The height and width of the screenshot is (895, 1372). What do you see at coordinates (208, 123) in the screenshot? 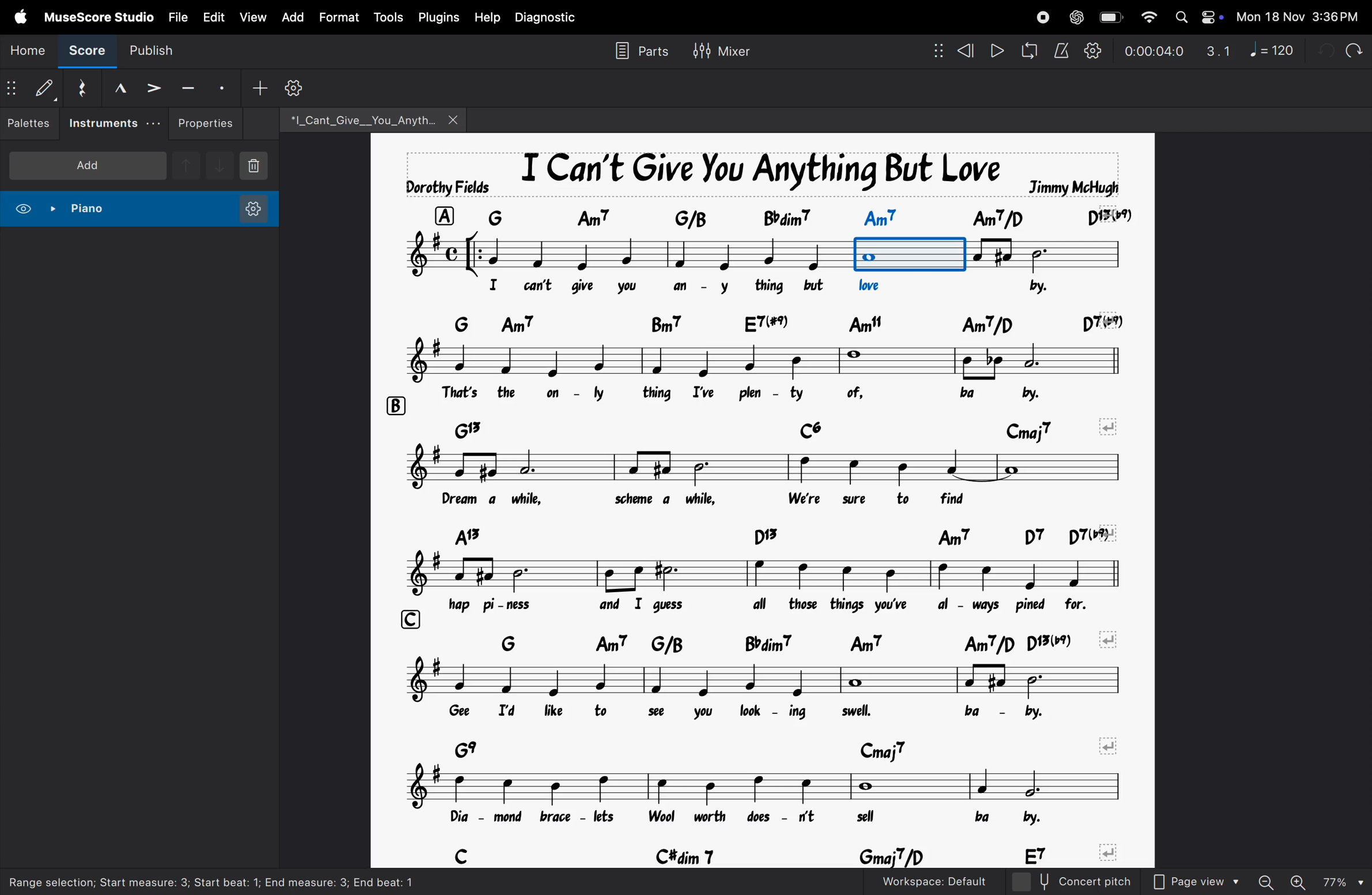
I see `properties` at bounding box center [208, 123].